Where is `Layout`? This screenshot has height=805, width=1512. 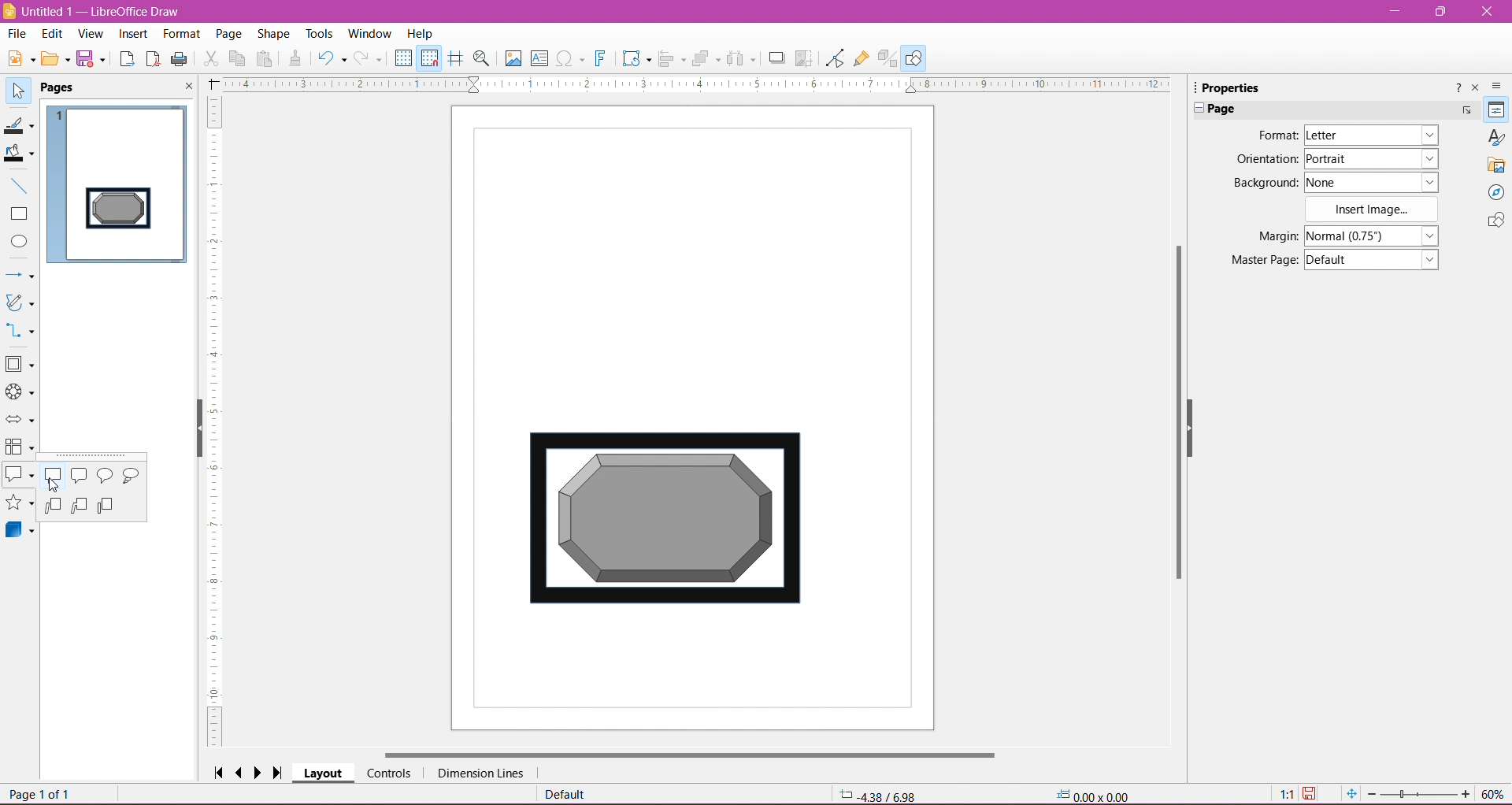 Layout is located at coordinates (324, 774).